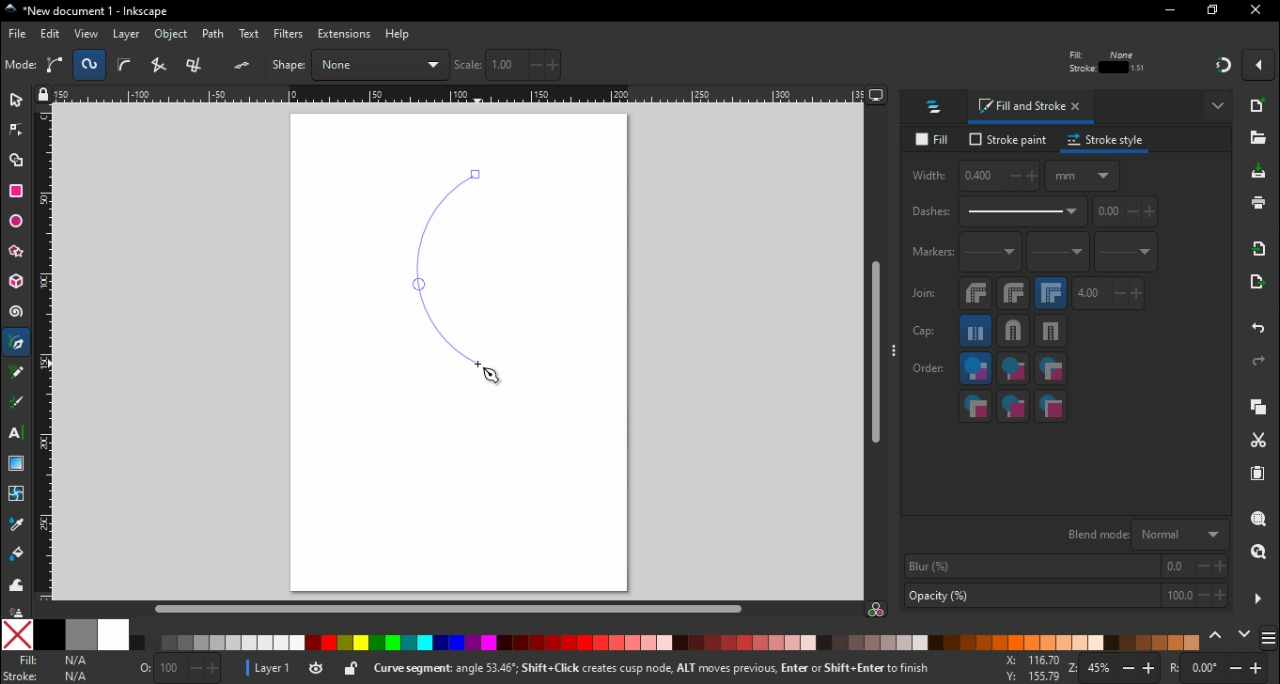  I want to click on stroke markers, fill, so click(1015, 408).